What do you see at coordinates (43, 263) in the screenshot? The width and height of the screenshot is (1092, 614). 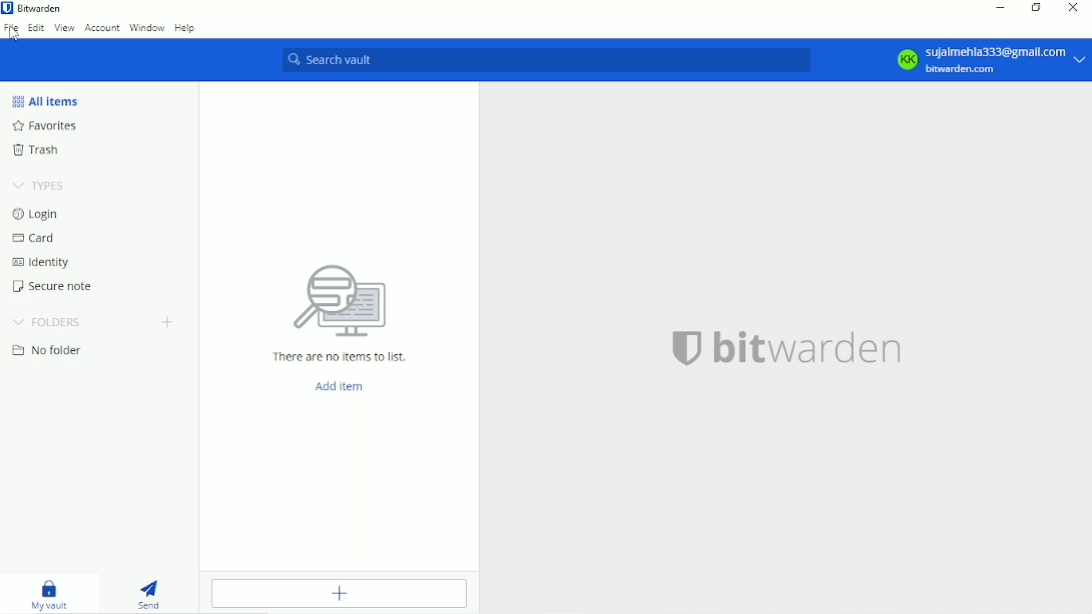 I see `Identity` at bounding box center [43, 263].